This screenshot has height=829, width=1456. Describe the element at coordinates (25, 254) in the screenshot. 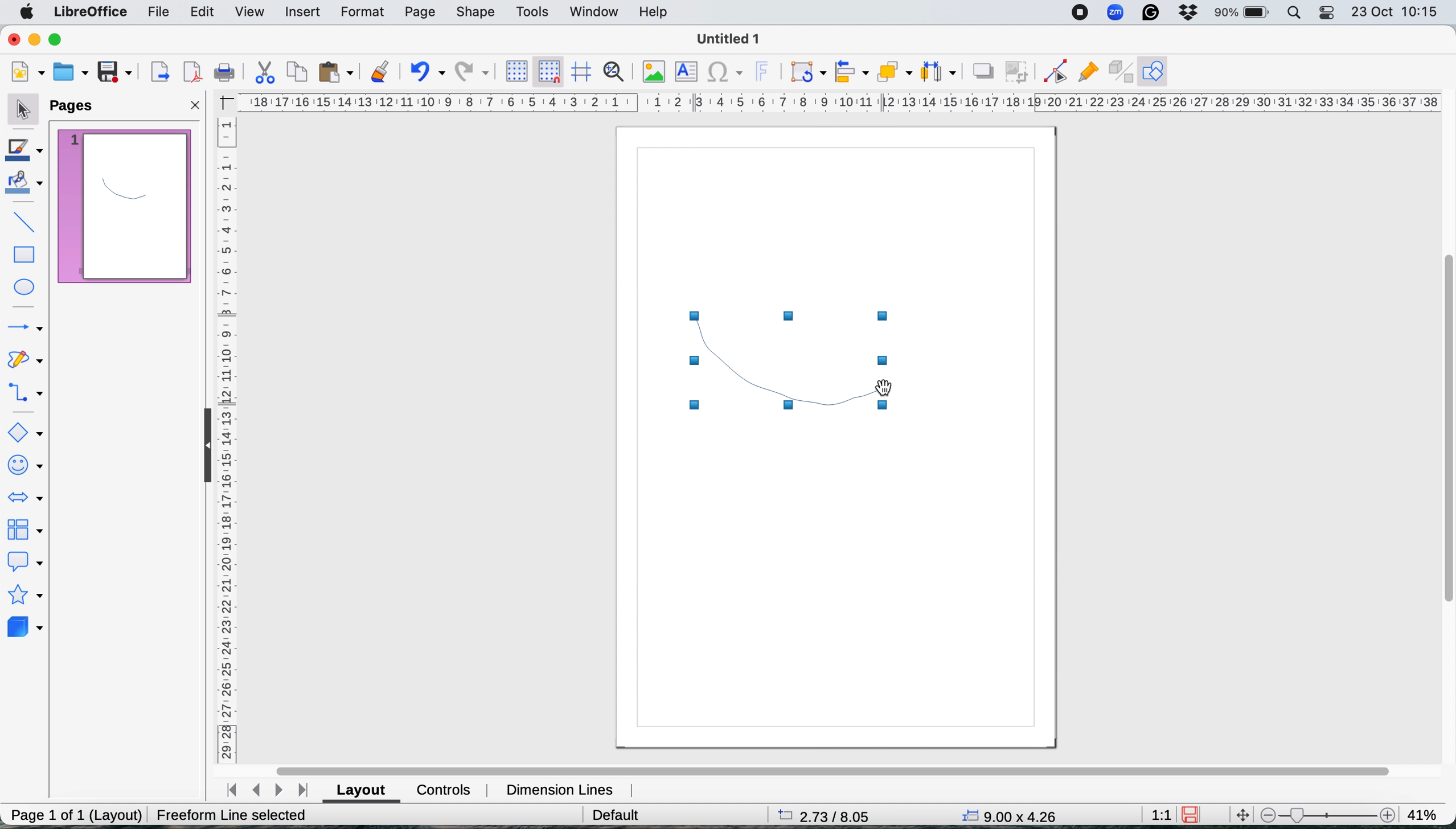

I see `rectangle` at that location.